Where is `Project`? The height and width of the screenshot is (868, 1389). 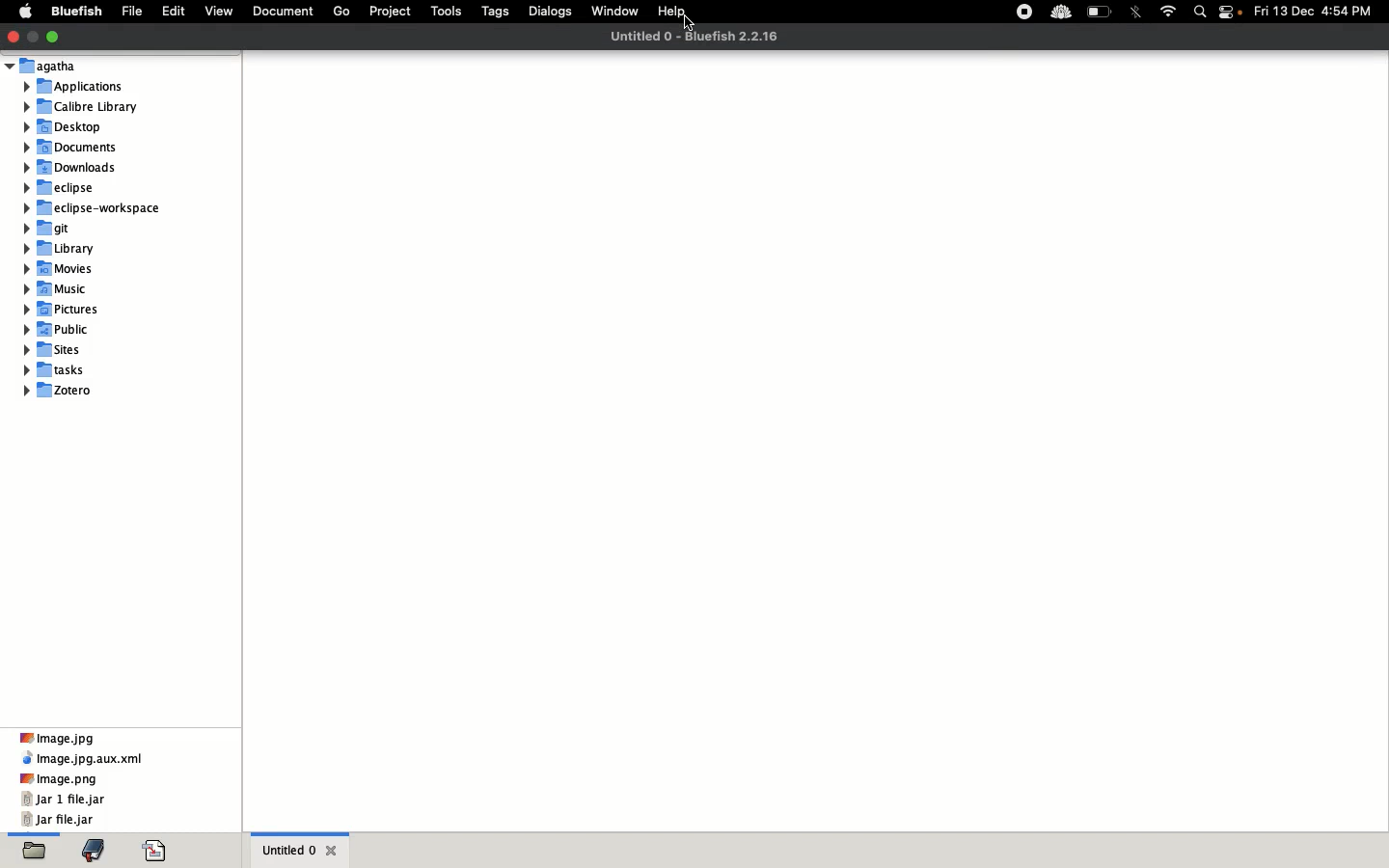 Project is located at coordinates (390, 11).